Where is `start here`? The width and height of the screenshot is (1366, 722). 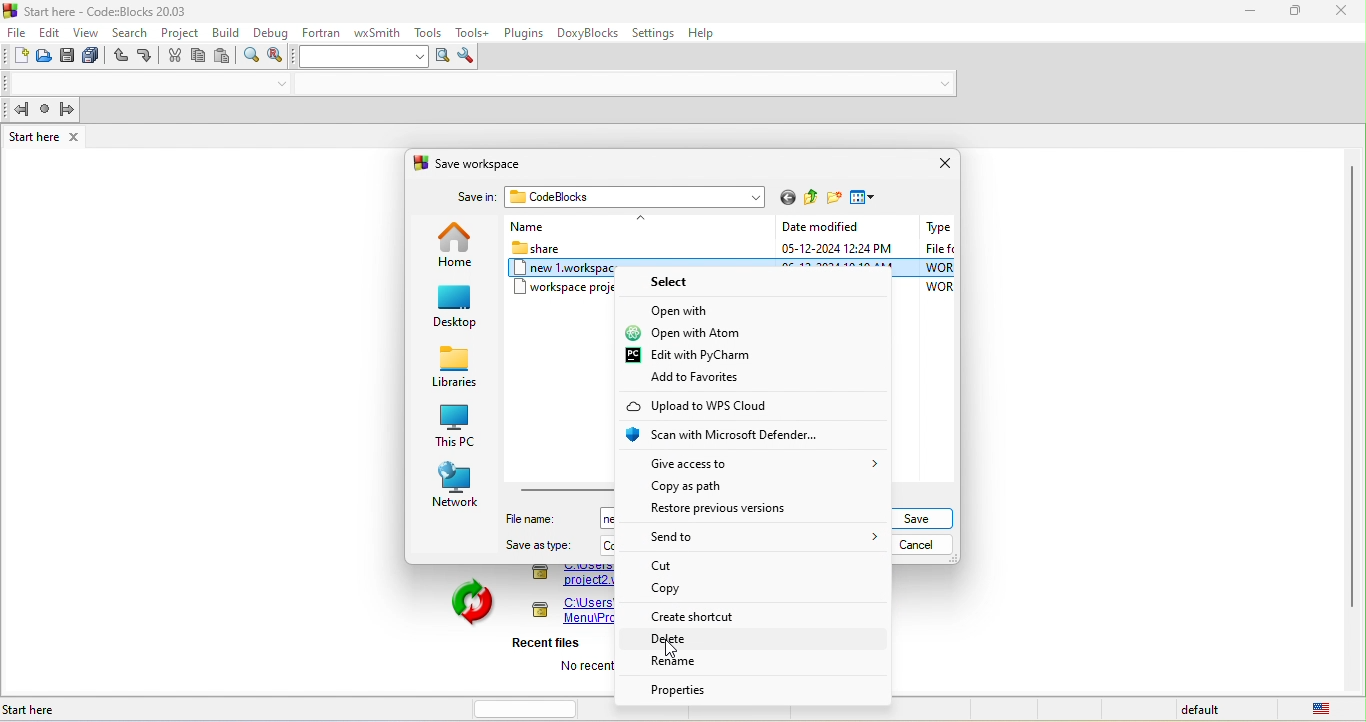 start here is located at coordinates (46, 136).